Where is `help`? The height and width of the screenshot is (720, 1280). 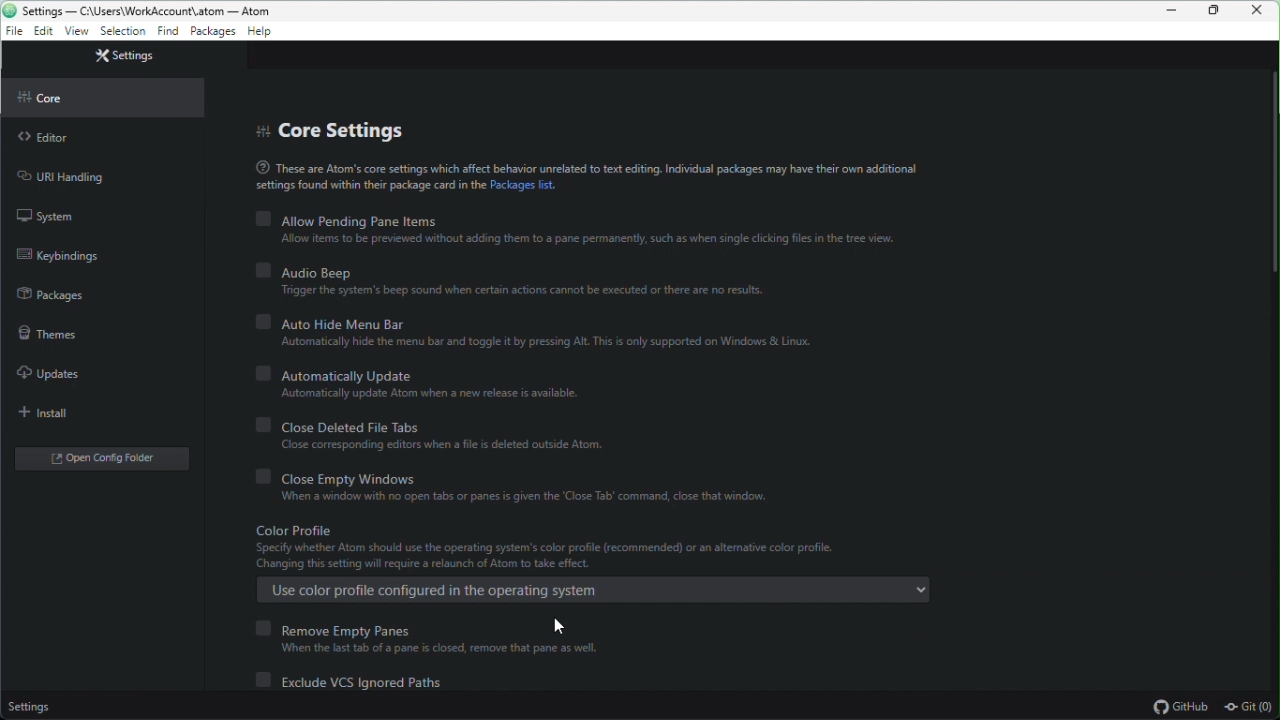
help is located at coordinates (261, 33).